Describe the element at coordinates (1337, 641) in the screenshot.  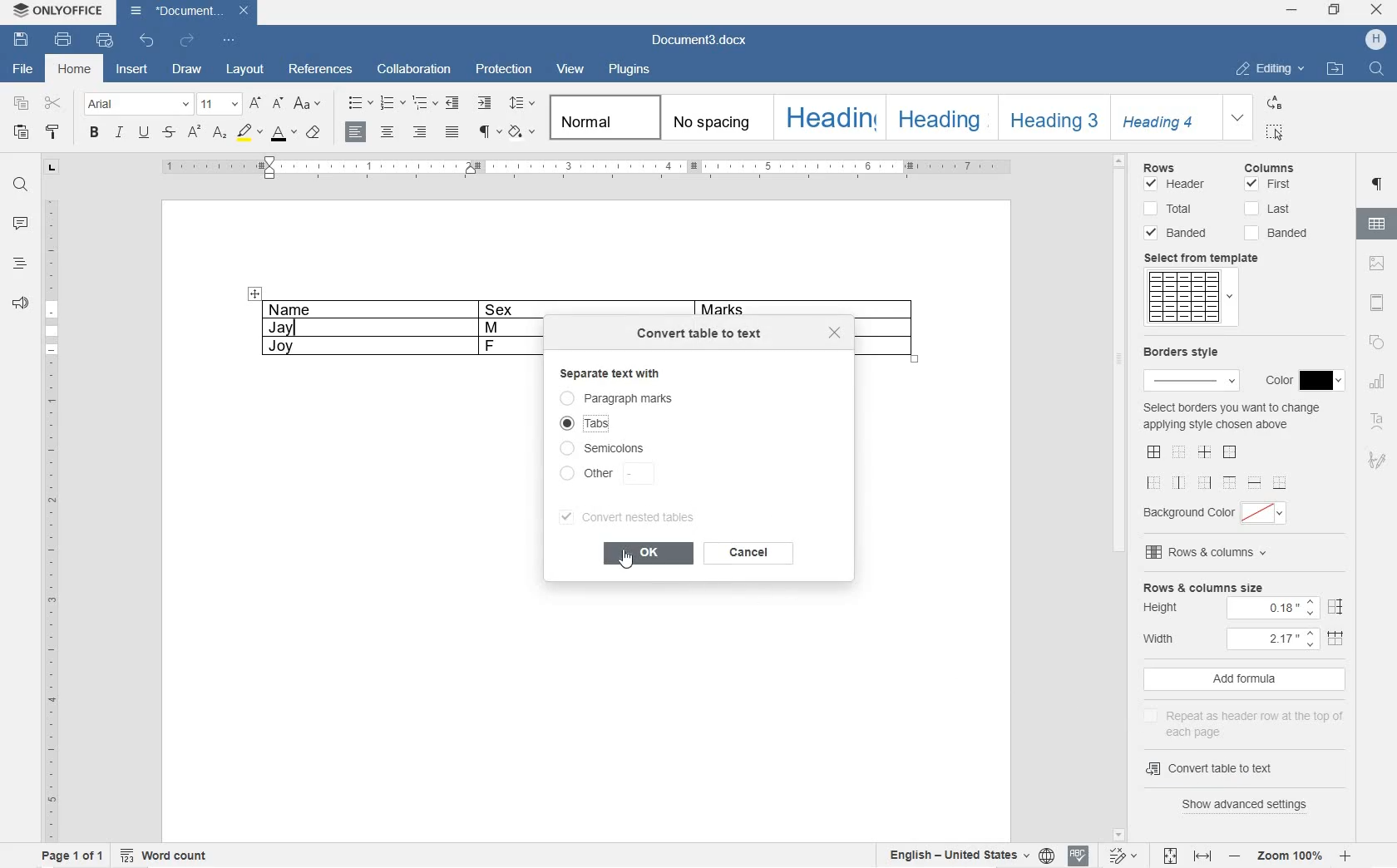
I see `distribute columns` at that location.